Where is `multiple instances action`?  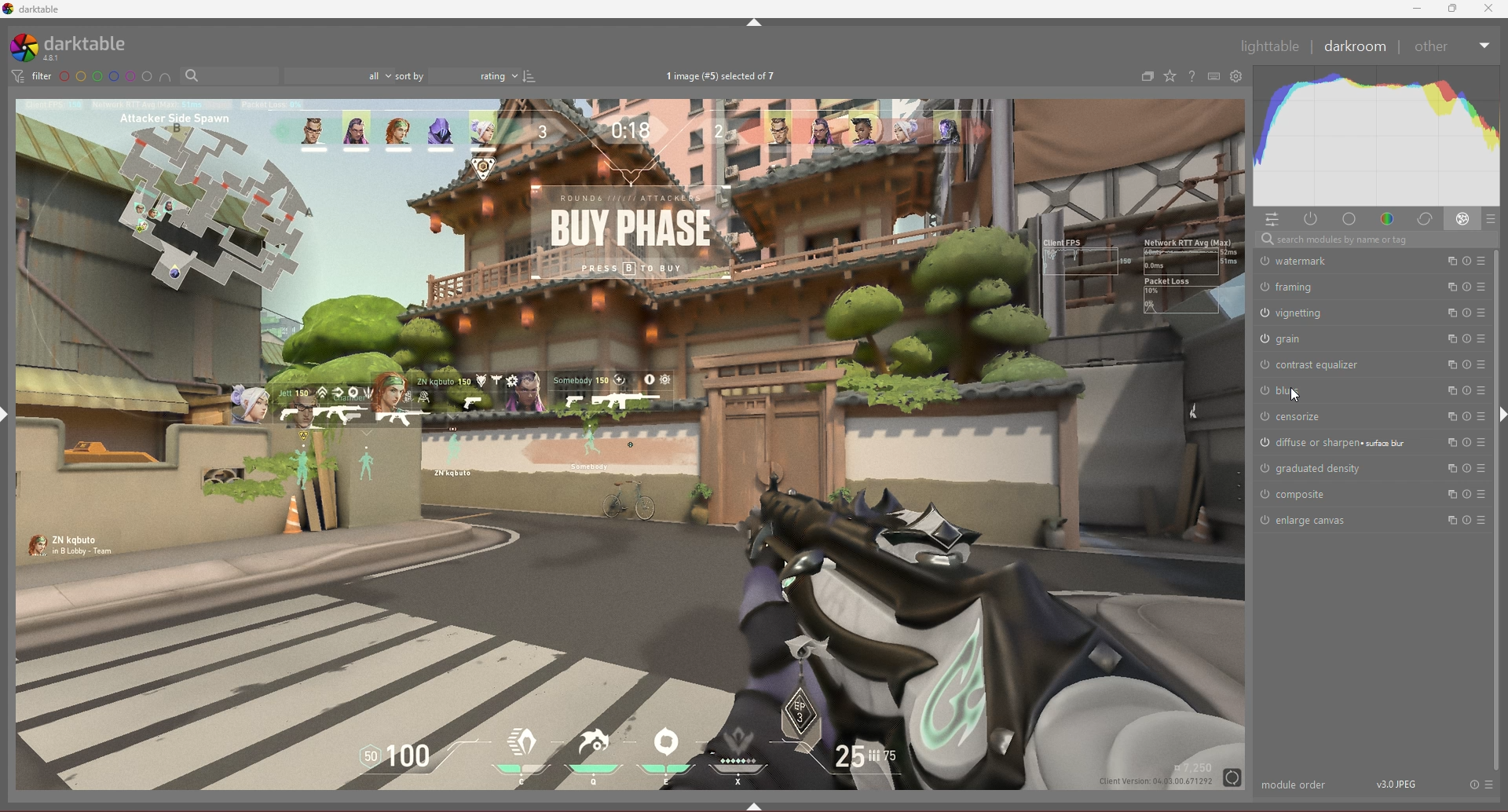
multiple instances action is located at coordinates (1447, 442).